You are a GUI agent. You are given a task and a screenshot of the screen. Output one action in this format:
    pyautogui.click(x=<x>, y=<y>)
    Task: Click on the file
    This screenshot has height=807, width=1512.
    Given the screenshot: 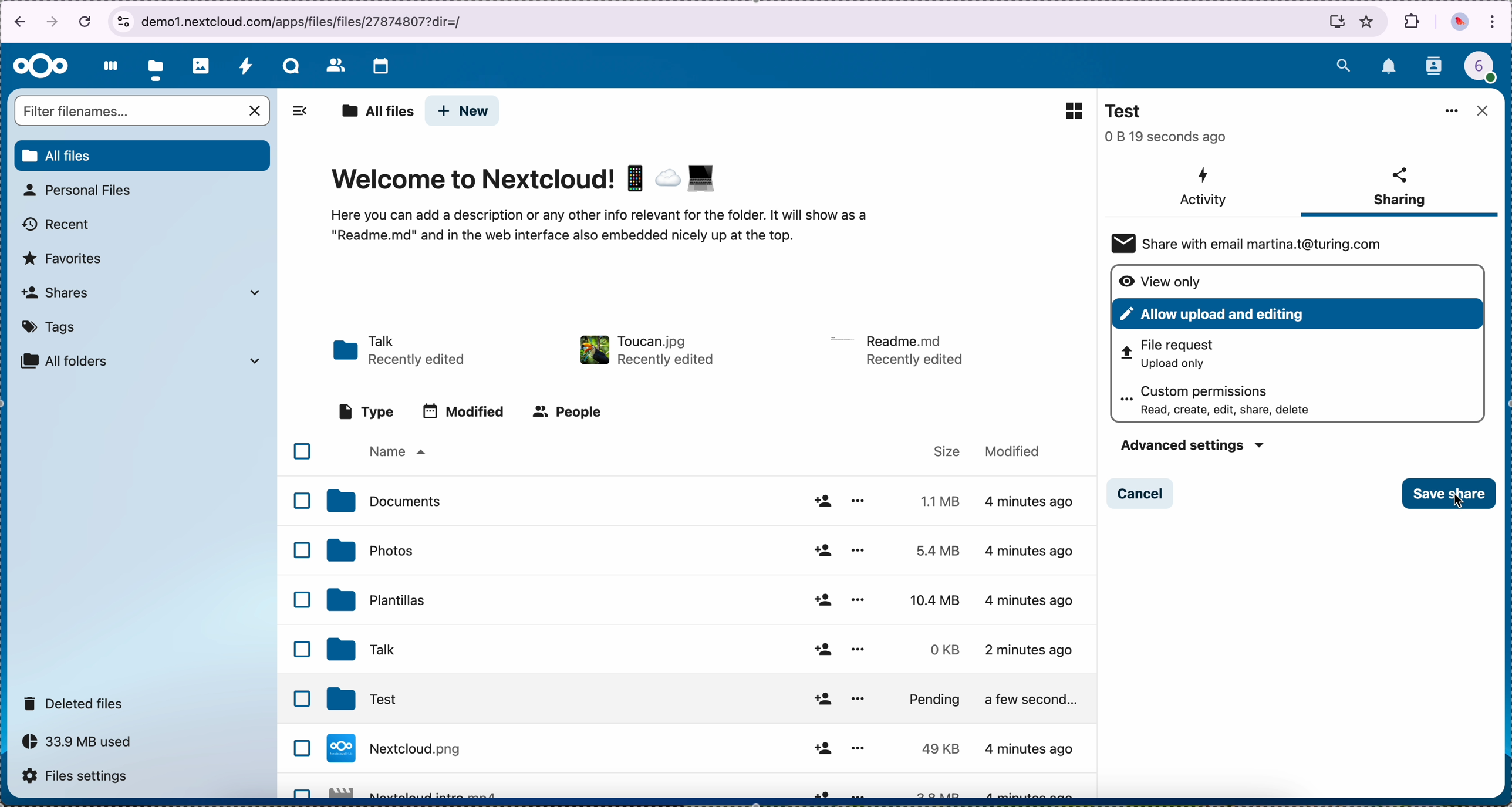 What is the action you would take?
    pyautogui.click(x=710, y=748)
    